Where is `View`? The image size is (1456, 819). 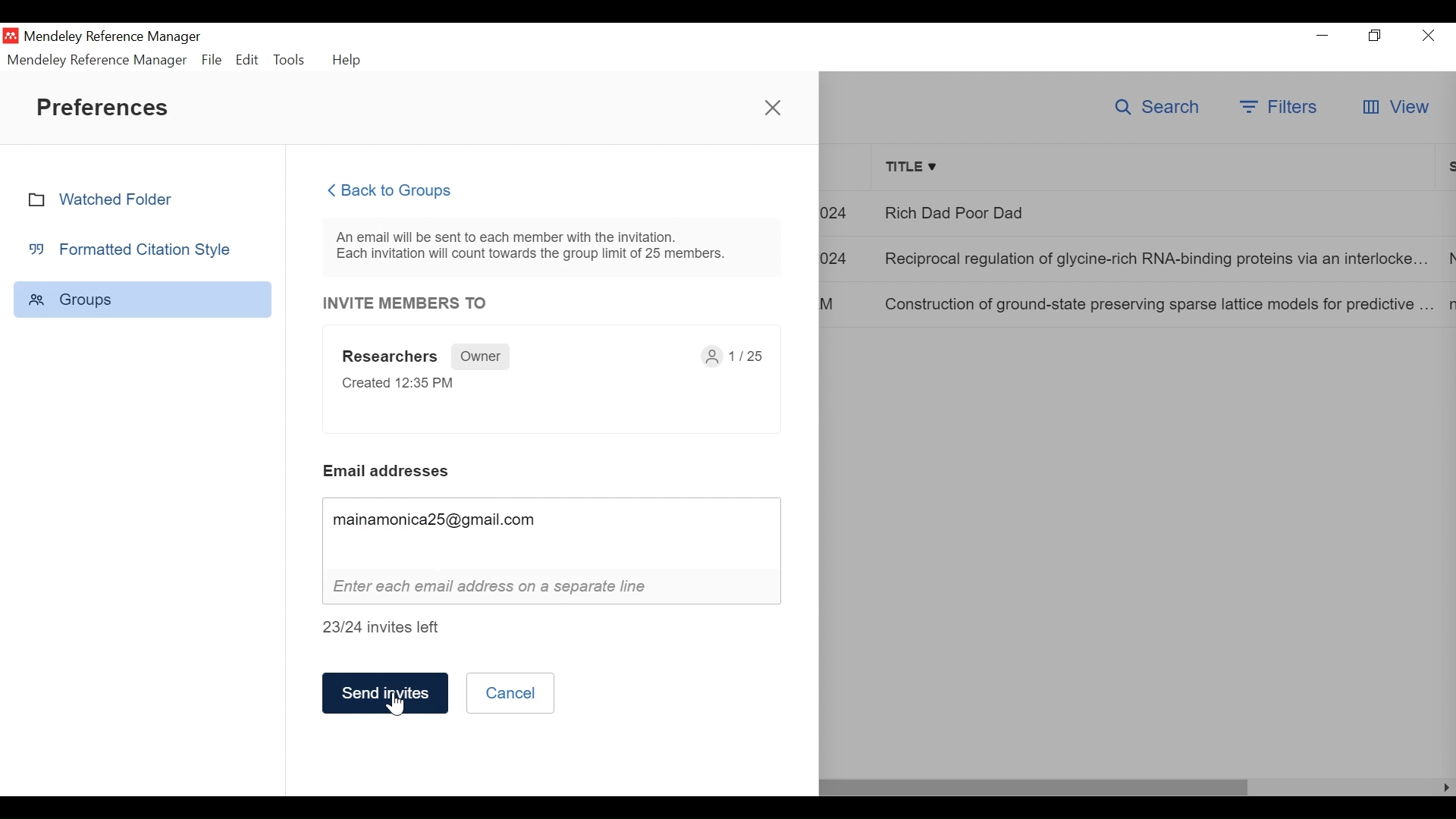
View is located at coordinates (1395, 106).